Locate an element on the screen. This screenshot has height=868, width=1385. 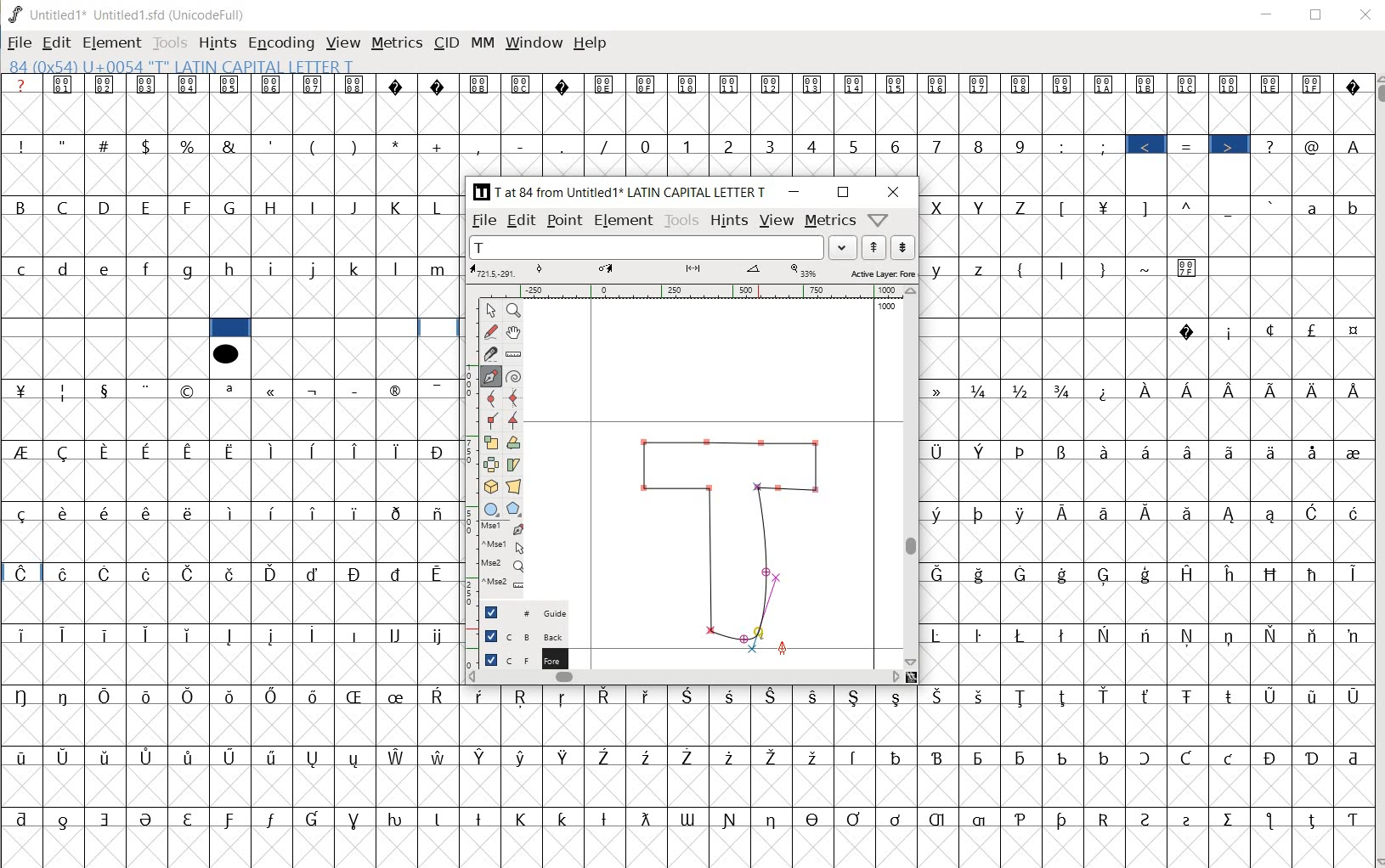
Symbol is located at coordinates (273, 391).